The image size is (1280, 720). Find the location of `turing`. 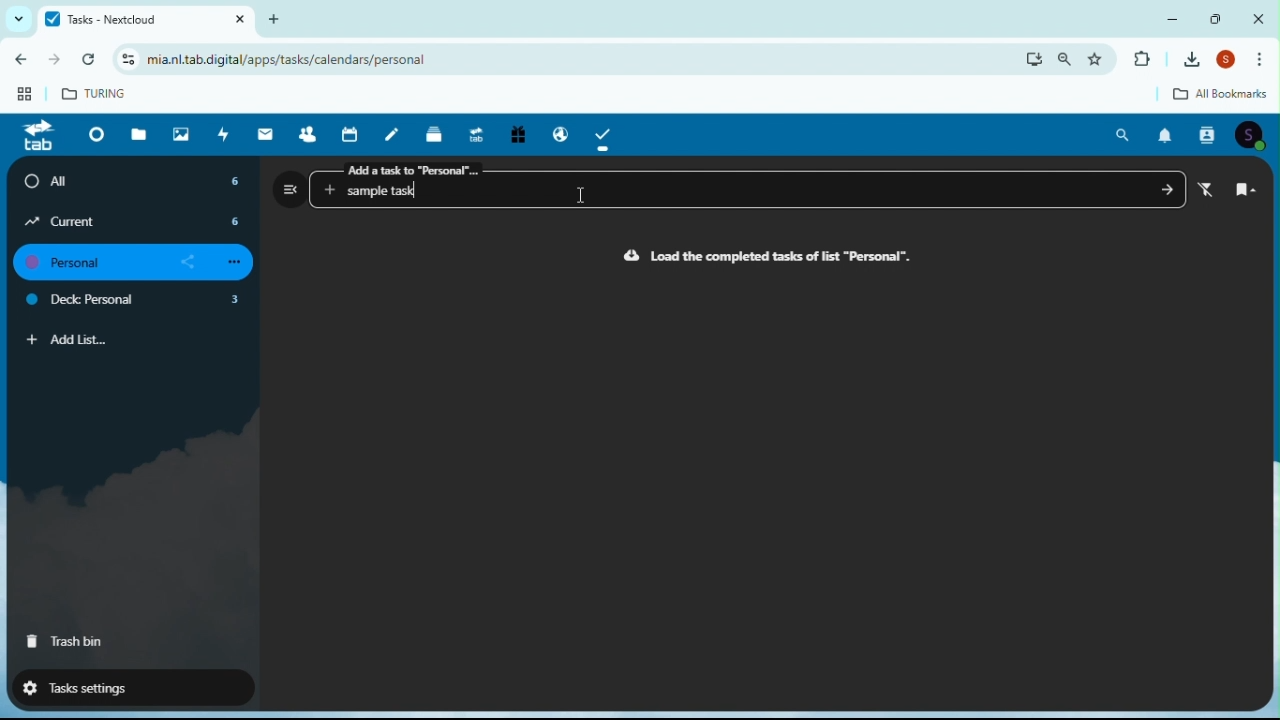

turing is located at coordinates (96, 92).